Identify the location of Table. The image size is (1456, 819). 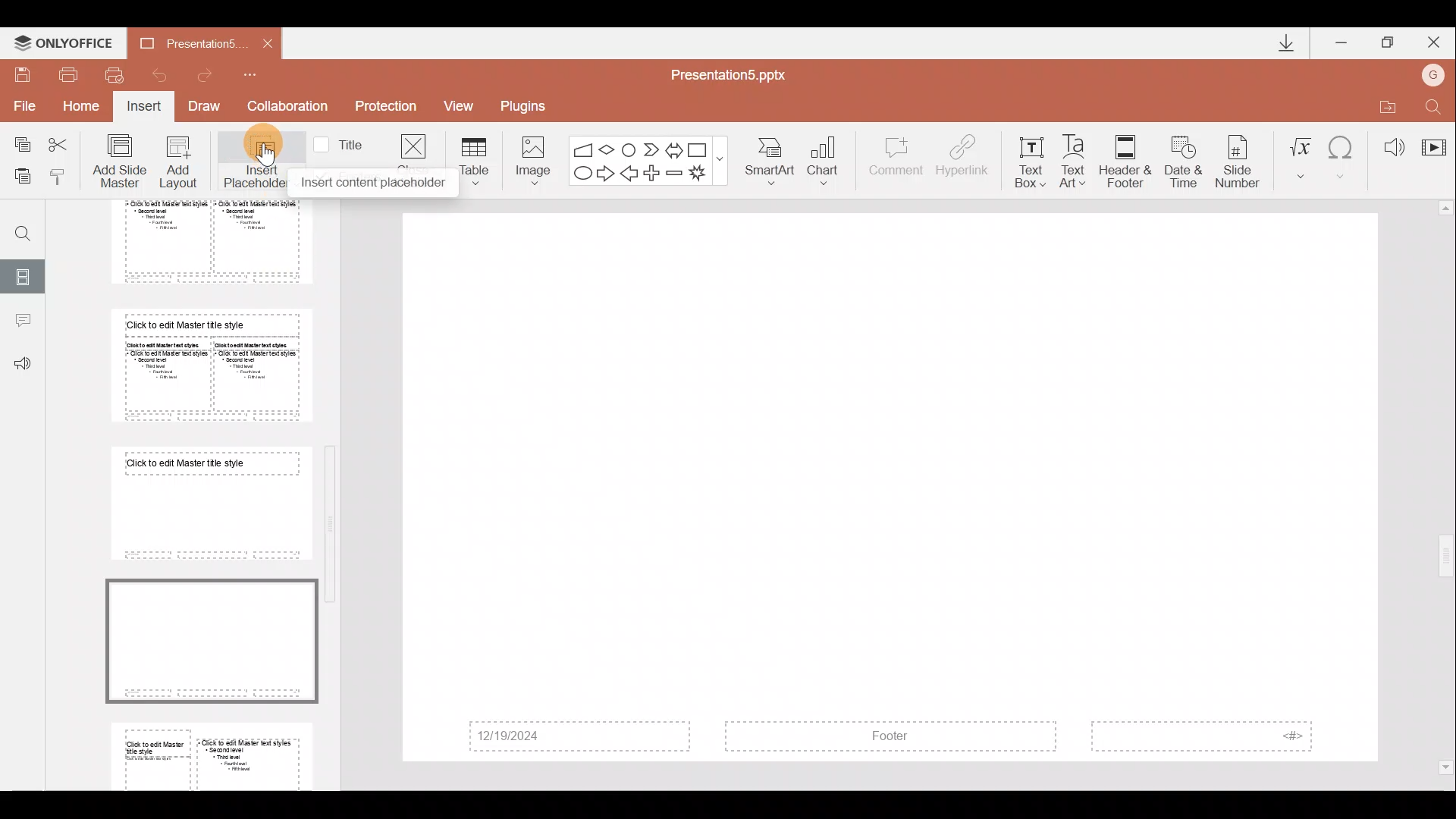
(476, 160).